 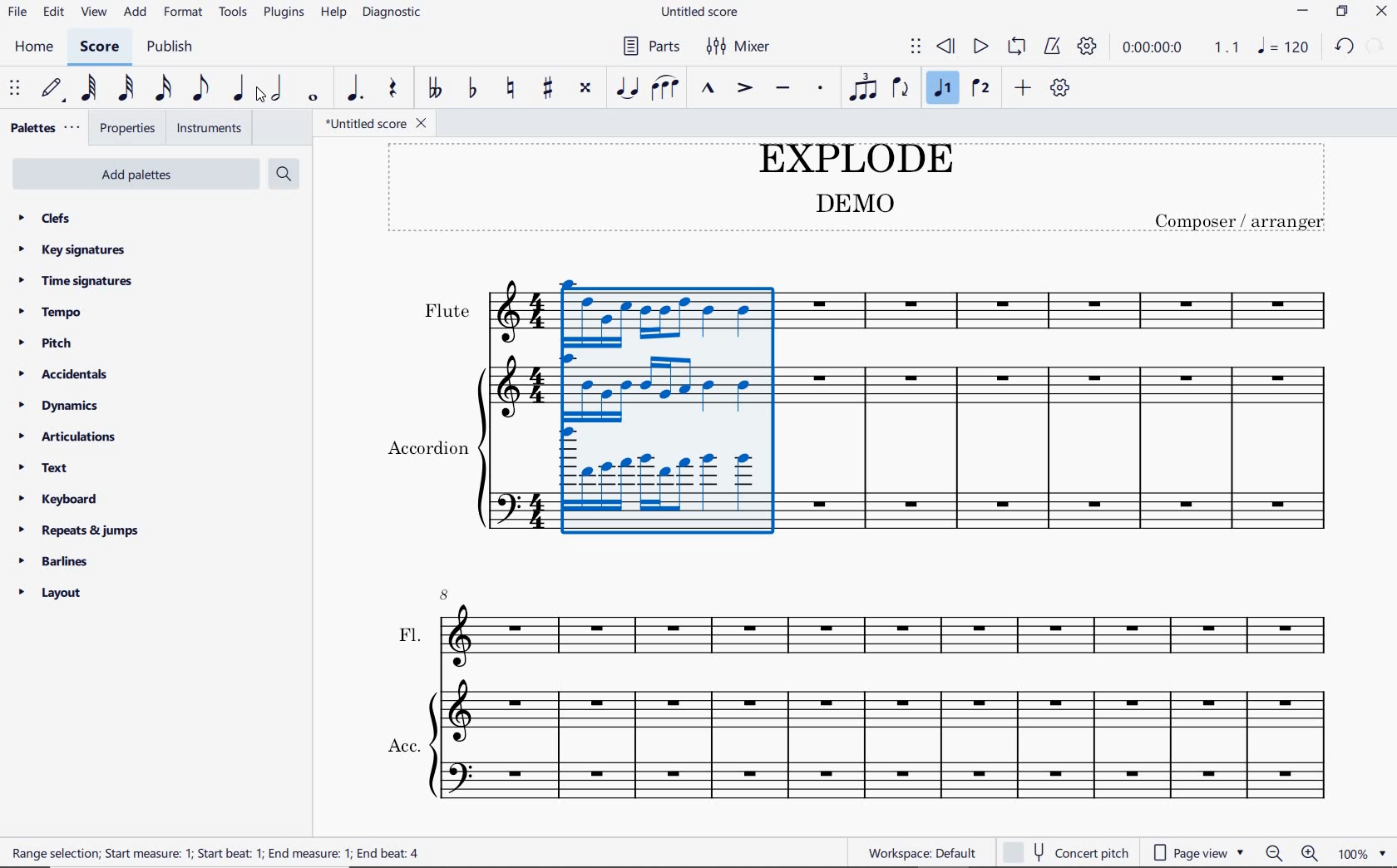 What do you see at coordinates (32, 47) in the screenshot?
I see `home` at bounding box center [32, 47].